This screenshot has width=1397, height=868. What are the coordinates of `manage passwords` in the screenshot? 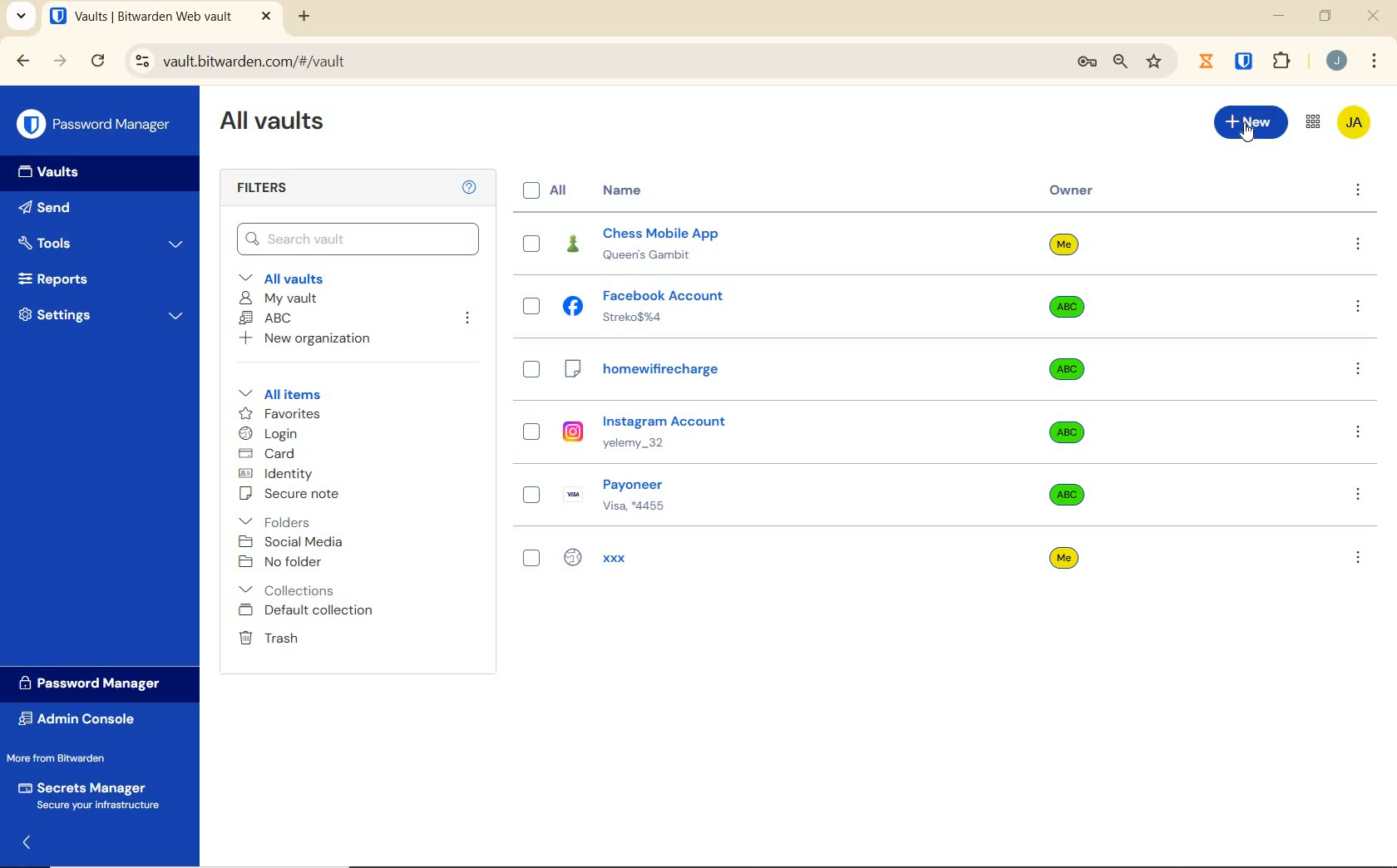 It's located at (1087, 64).